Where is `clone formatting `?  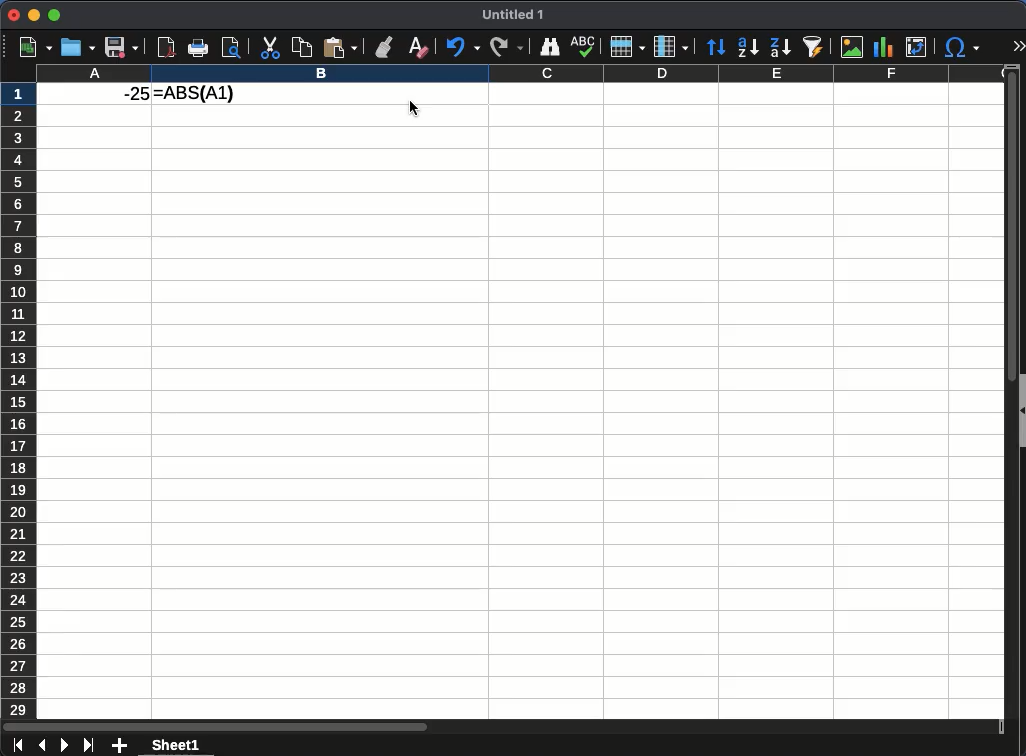
clone formatting  is located at coordinates (382, 47).